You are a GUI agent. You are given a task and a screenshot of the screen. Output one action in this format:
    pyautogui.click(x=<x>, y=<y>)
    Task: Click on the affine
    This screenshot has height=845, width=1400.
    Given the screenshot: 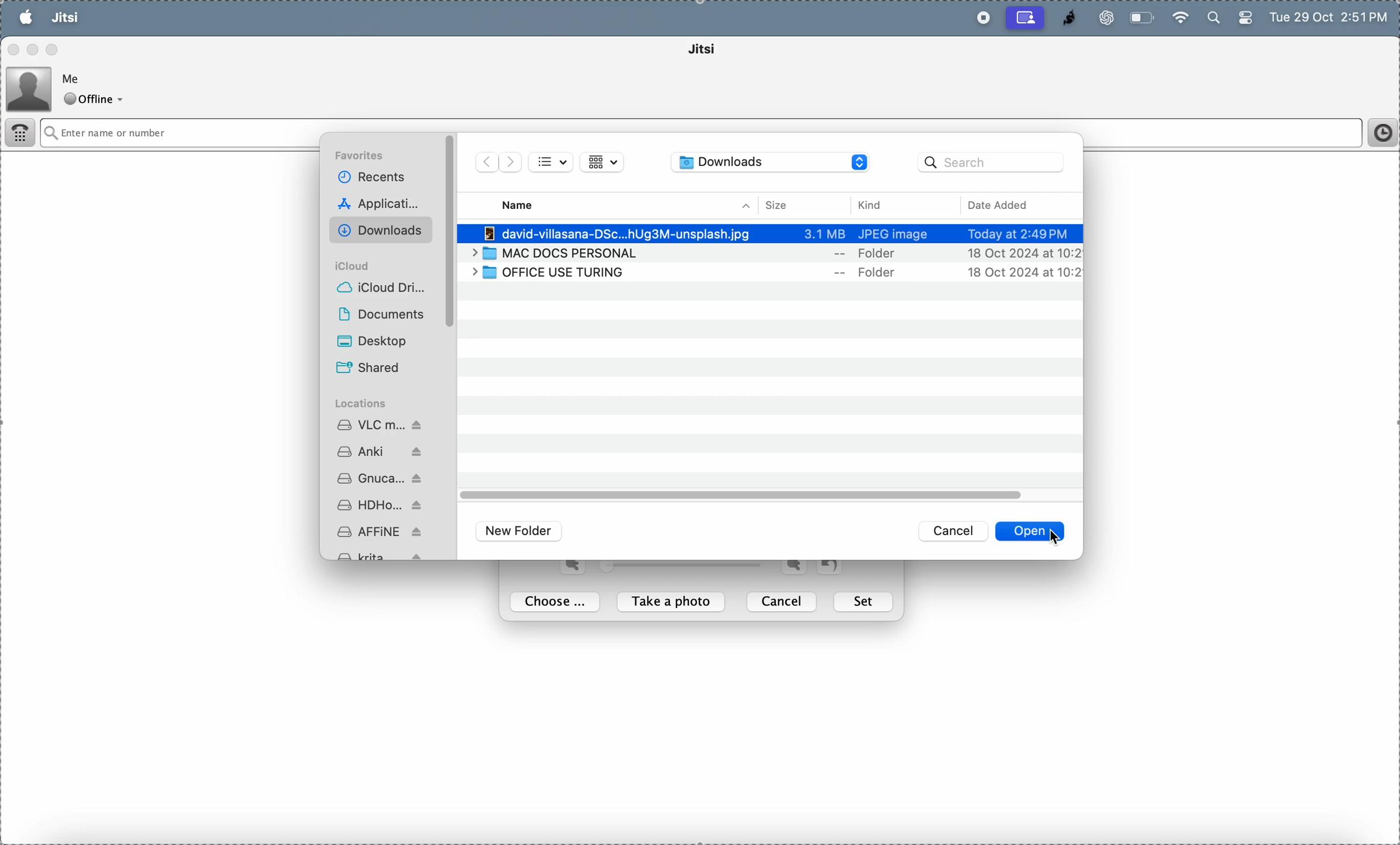 What is the action you would take?
    pyautogui.click(x=378, y=532)
    